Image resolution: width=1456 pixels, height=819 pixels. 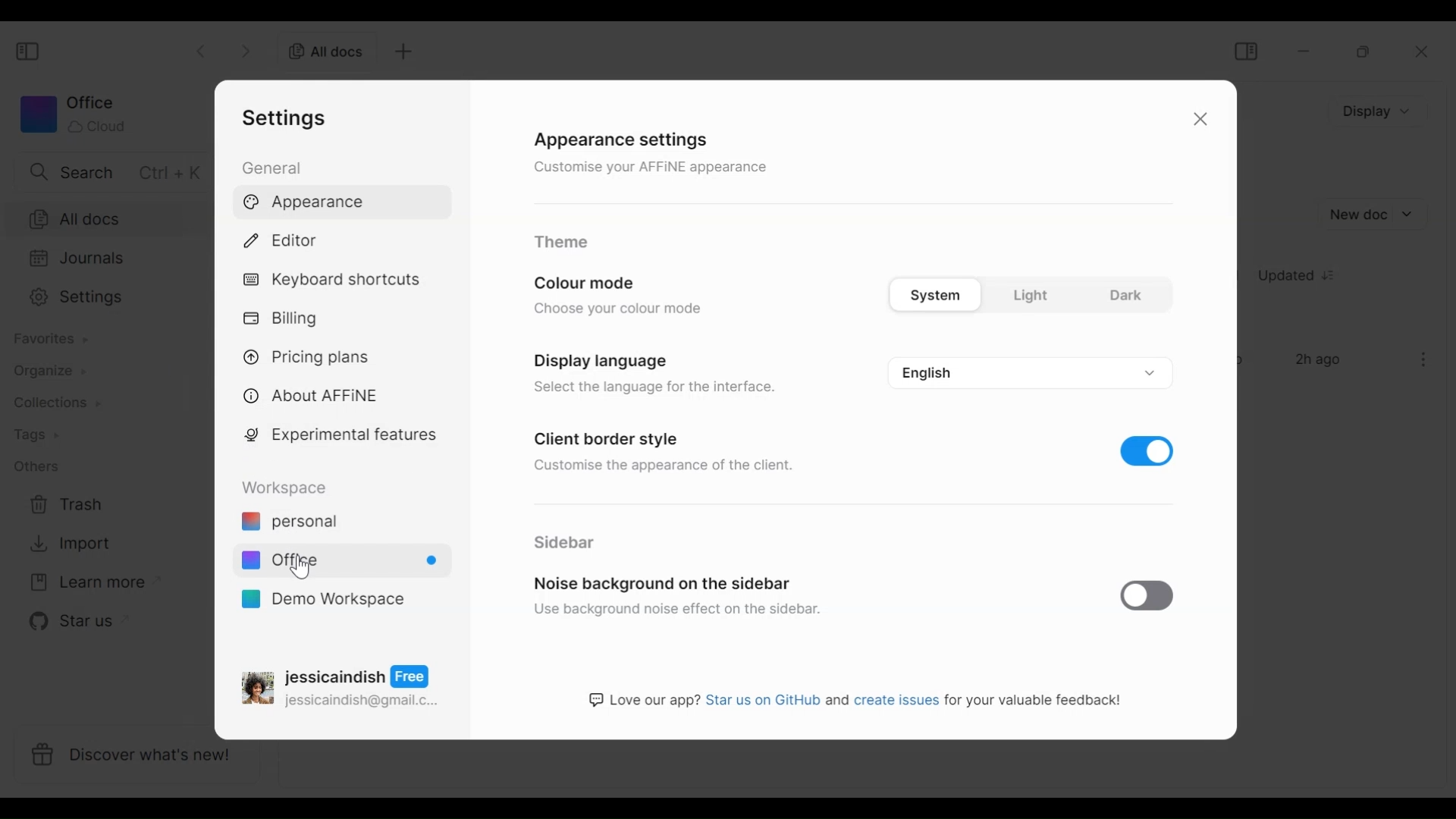 What do you see at coordinates (1197, 121) in the screenshot?
I see `Close` at bounding box center [1197, 121].